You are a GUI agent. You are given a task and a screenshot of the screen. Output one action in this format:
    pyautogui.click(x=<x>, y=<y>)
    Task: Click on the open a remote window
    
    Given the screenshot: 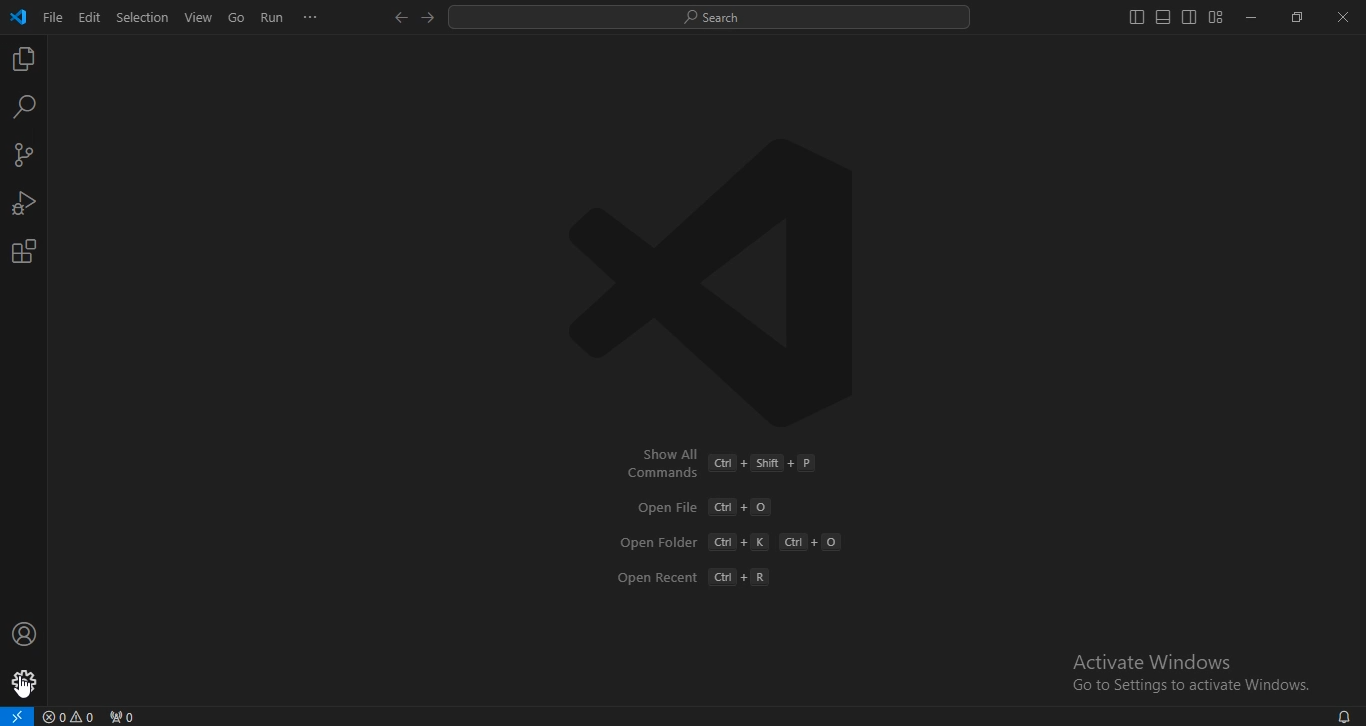 What is the action you would take?
    pyautogui.click(x=17, y=716)
    